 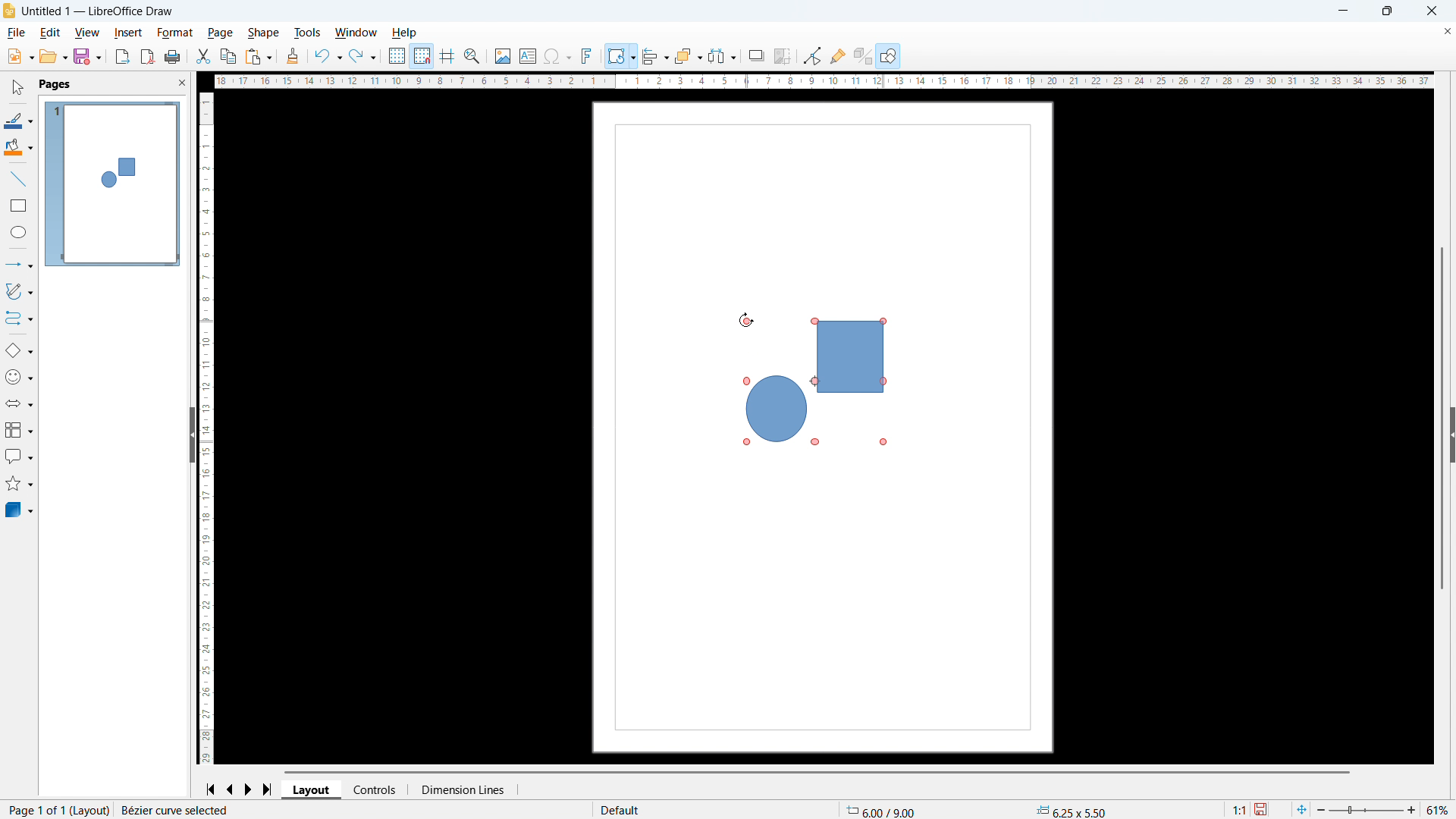 What do you see at coordinates (20, 146) in the screenshot?
I see `Background colour ` at bounding box center [20, 146].